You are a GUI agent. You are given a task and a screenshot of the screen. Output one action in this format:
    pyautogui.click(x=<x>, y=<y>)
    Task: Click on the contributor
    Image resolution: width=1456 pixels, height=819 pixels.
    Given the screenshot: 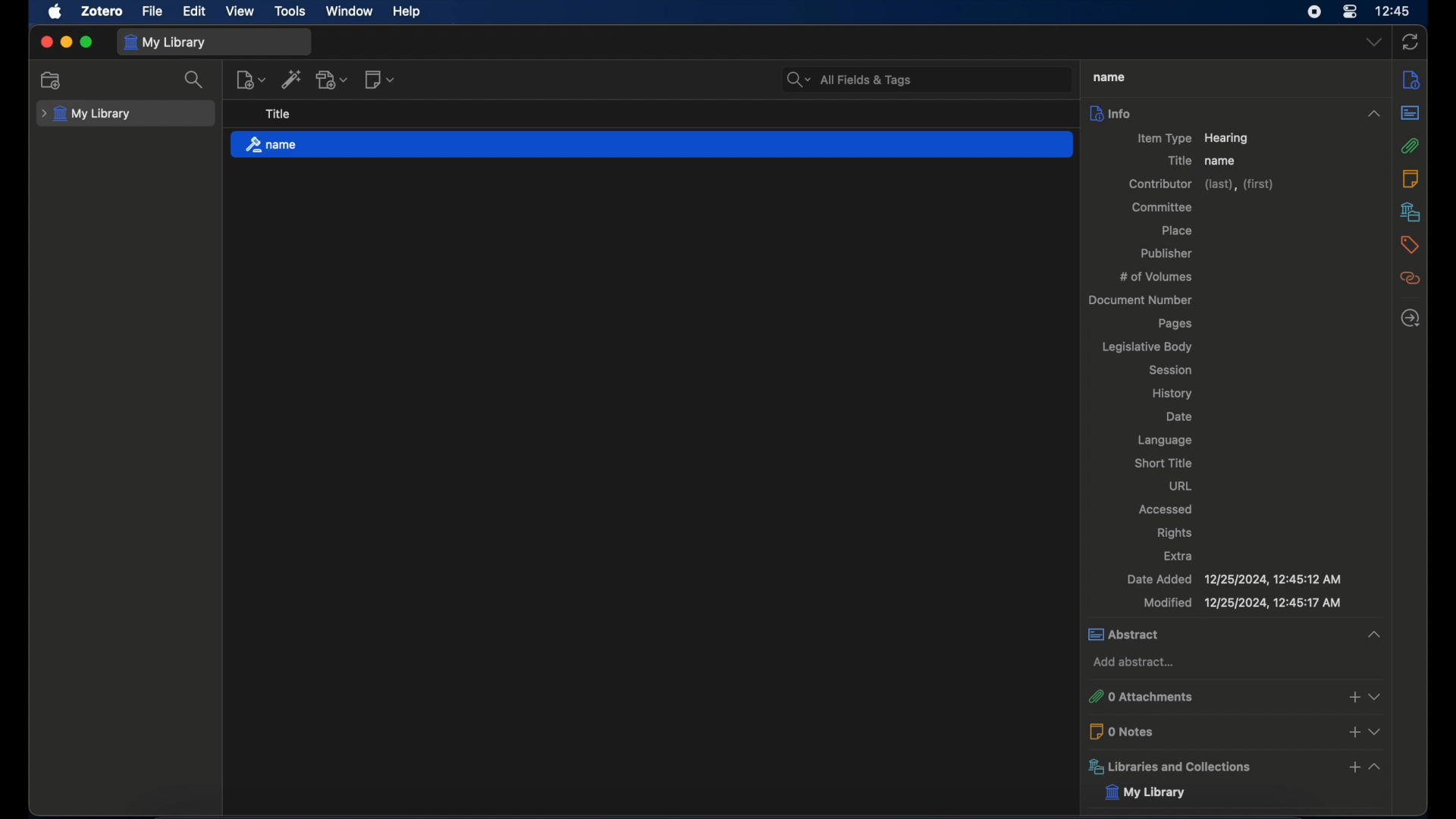 What is the action you would take?
    pyautogui.click(x=1202, y=184)
    